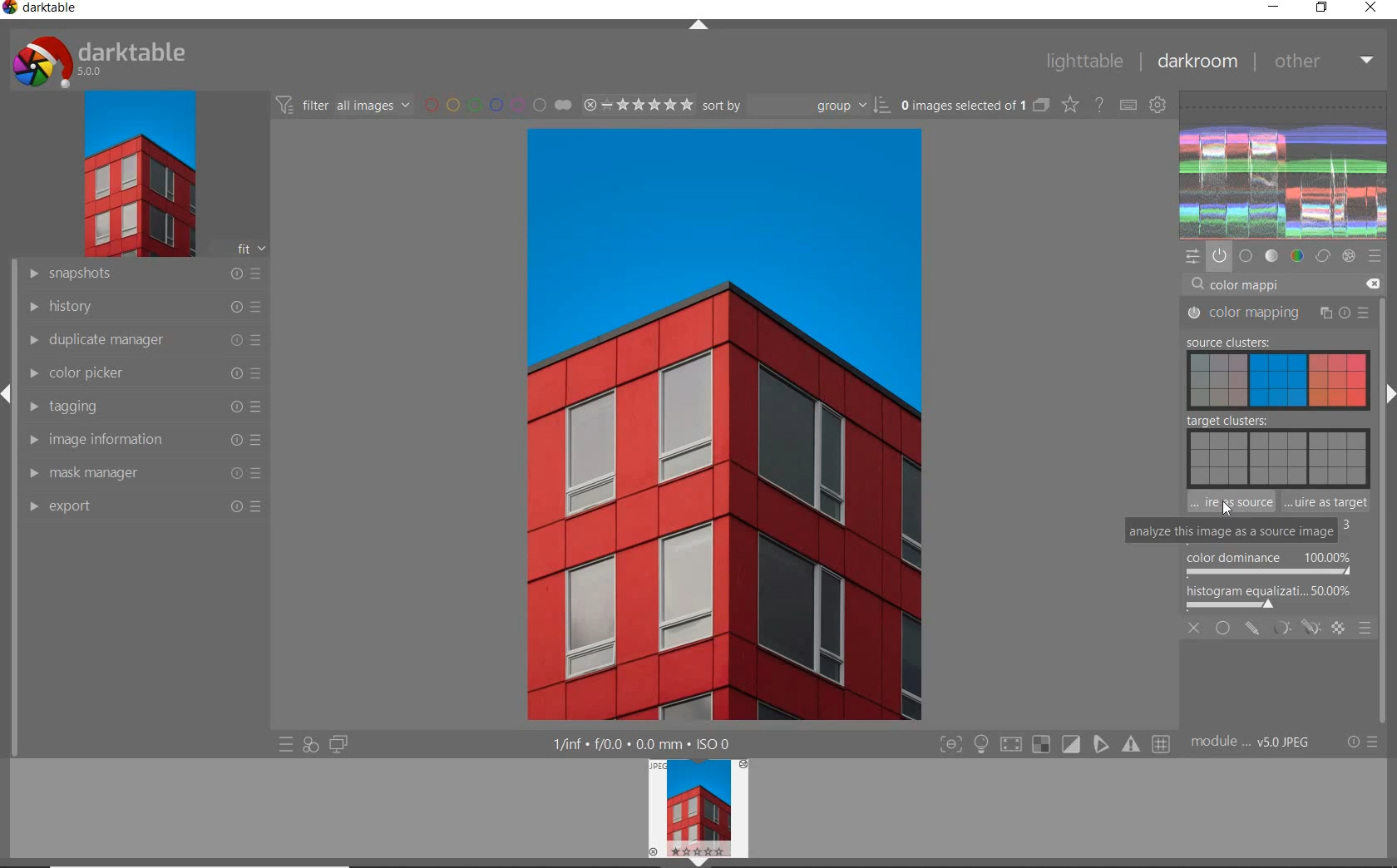 Image resolution: width=1397 pixels, height=868 pixels. I want to click on wave form, so click(1284, 165).